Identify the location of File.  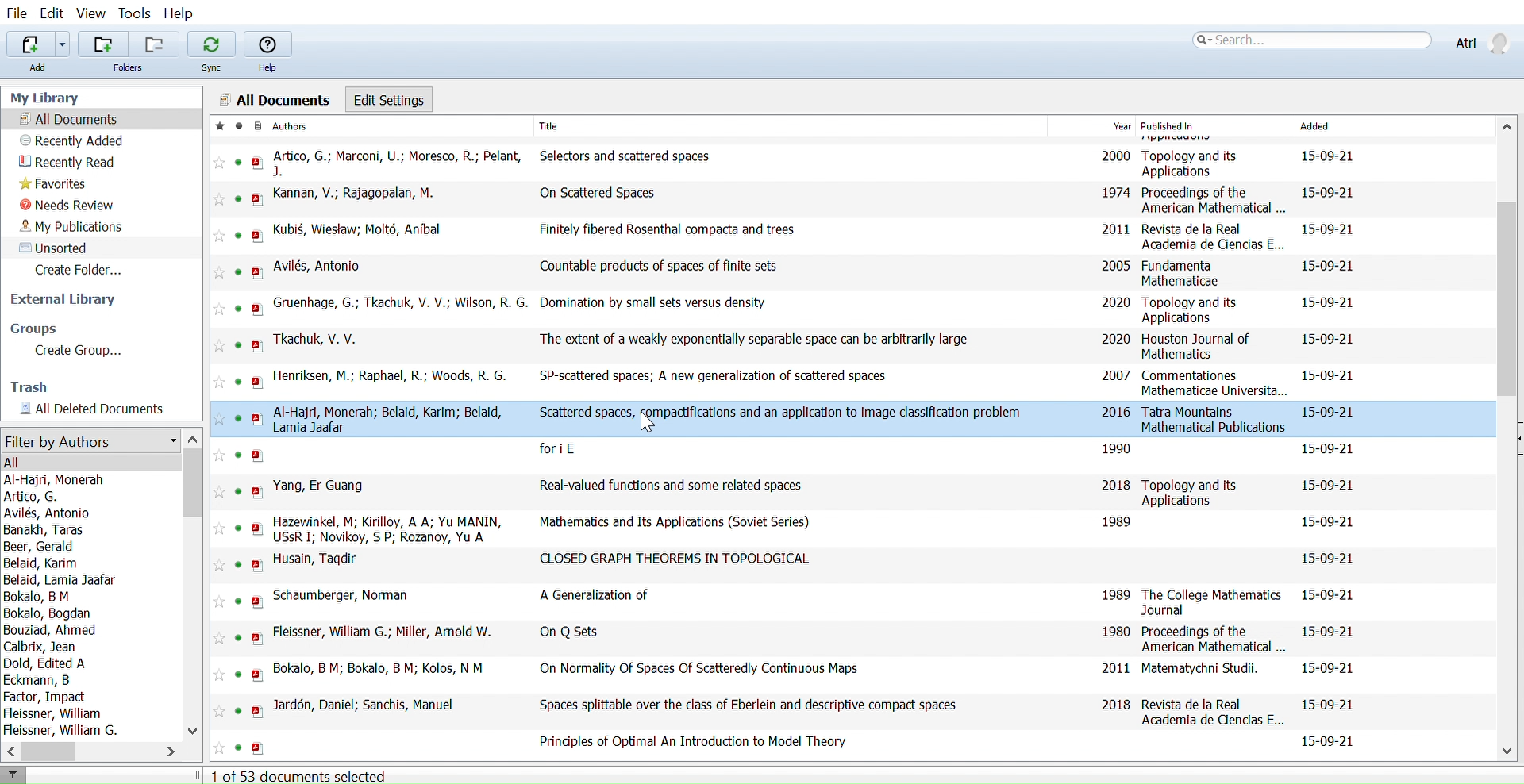
(17, 13).